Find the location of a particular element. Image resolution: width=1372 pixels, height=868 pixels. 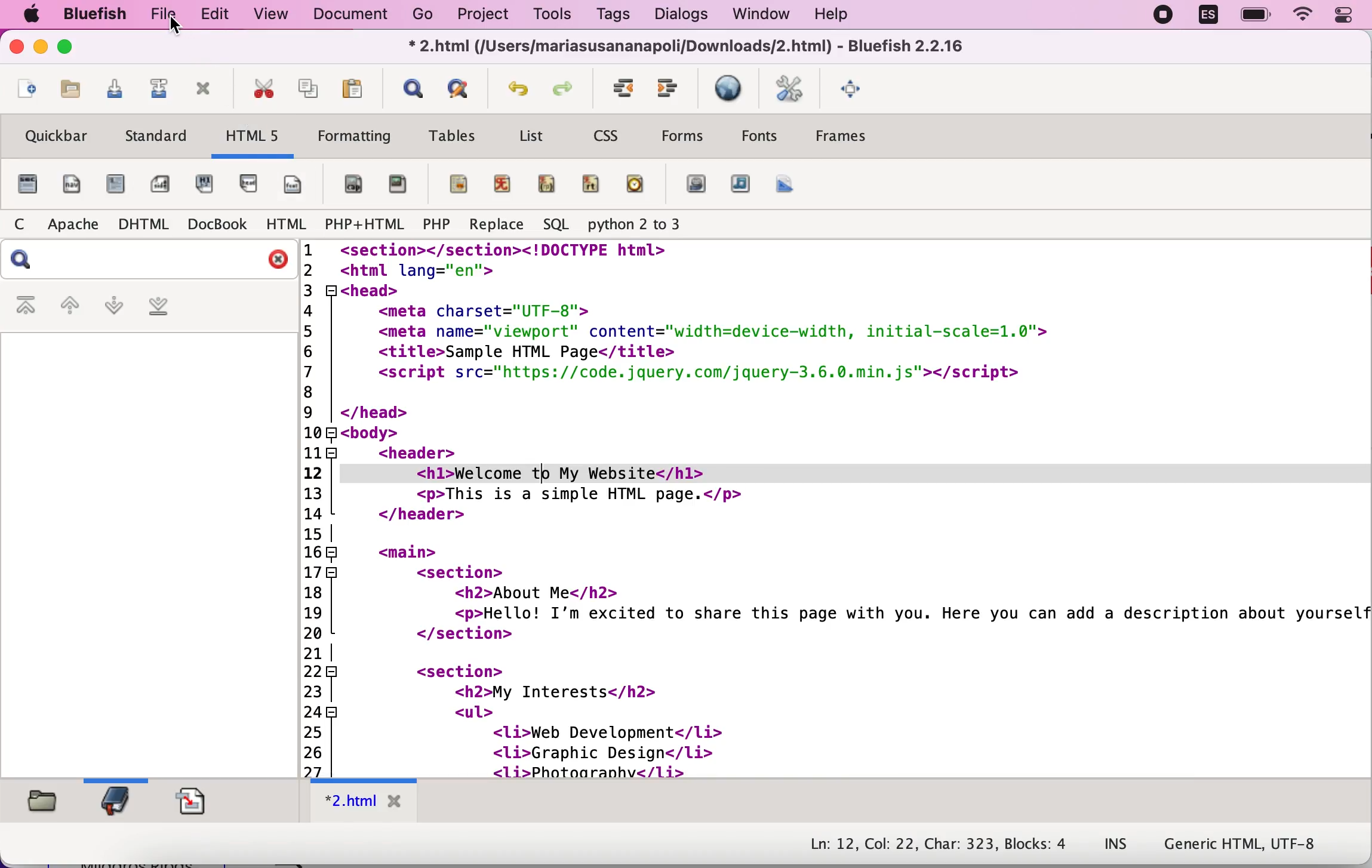

audio is located at coordinates (741, 186).